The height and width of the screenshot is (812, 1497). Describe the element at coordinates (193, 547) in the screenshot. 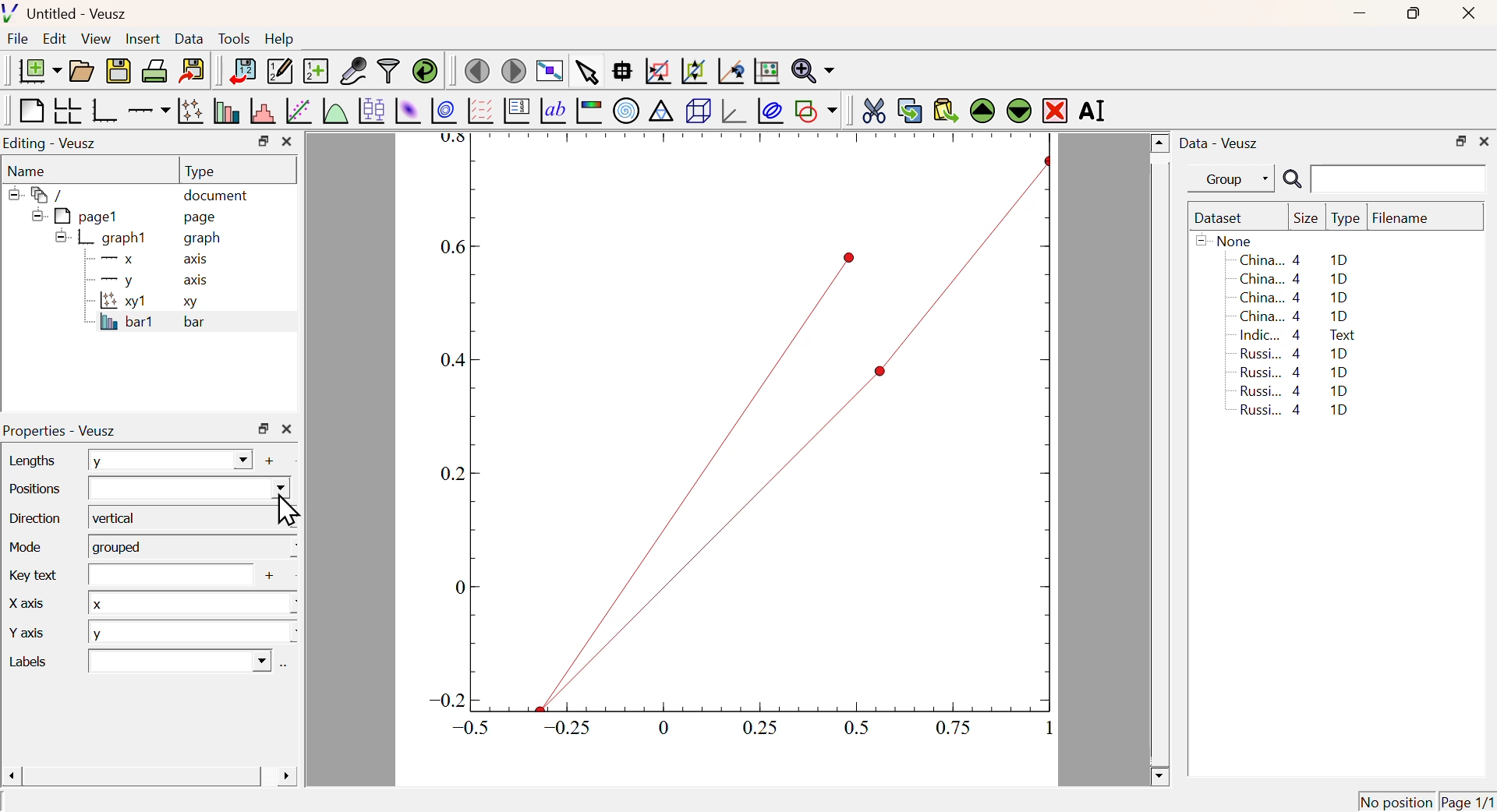

I see `Grouped` at that location.